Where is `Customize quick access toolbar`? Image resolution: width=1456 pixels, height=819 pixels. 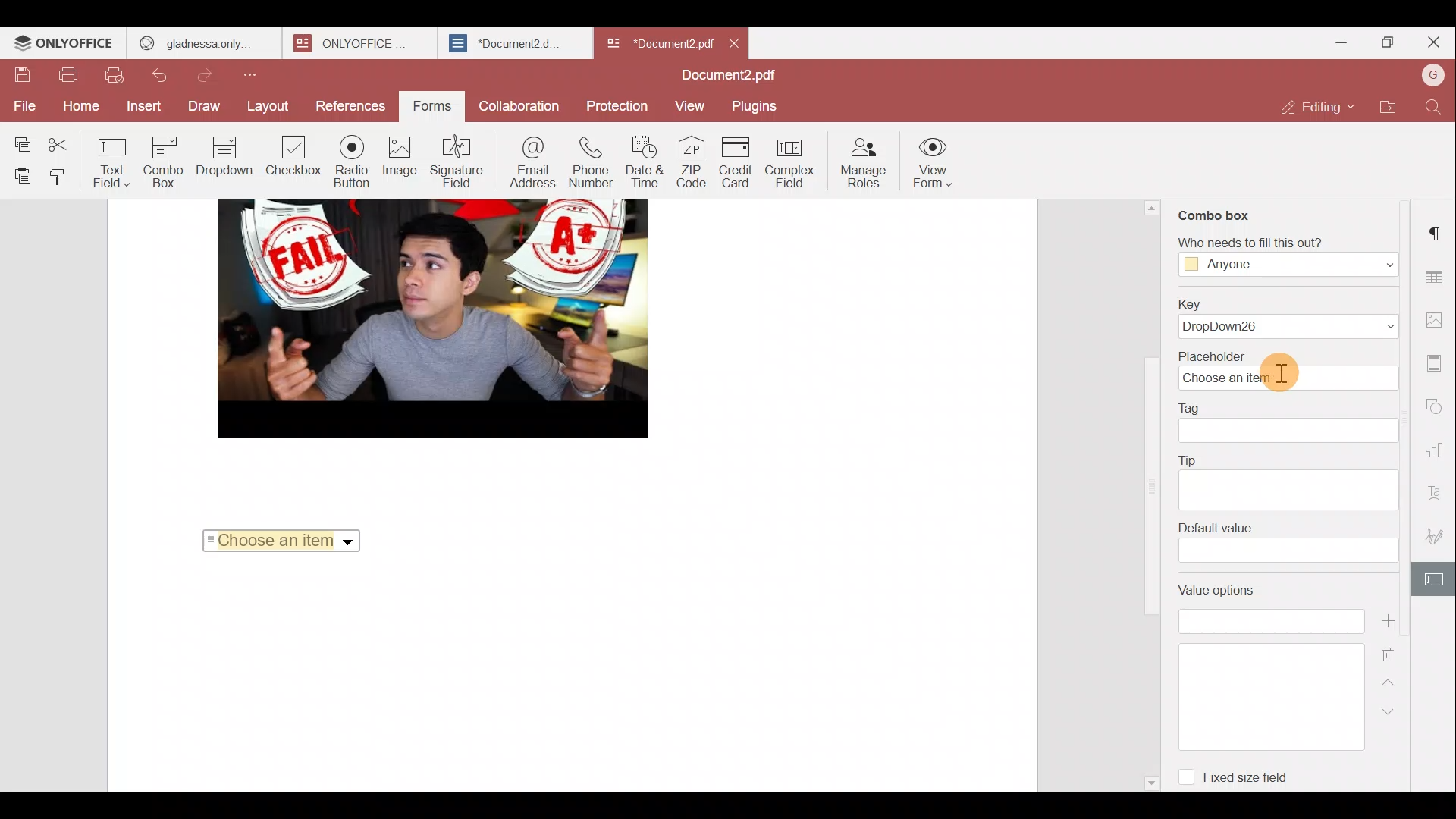 Customize quick access toolbar is located at coordinates (256, 80).